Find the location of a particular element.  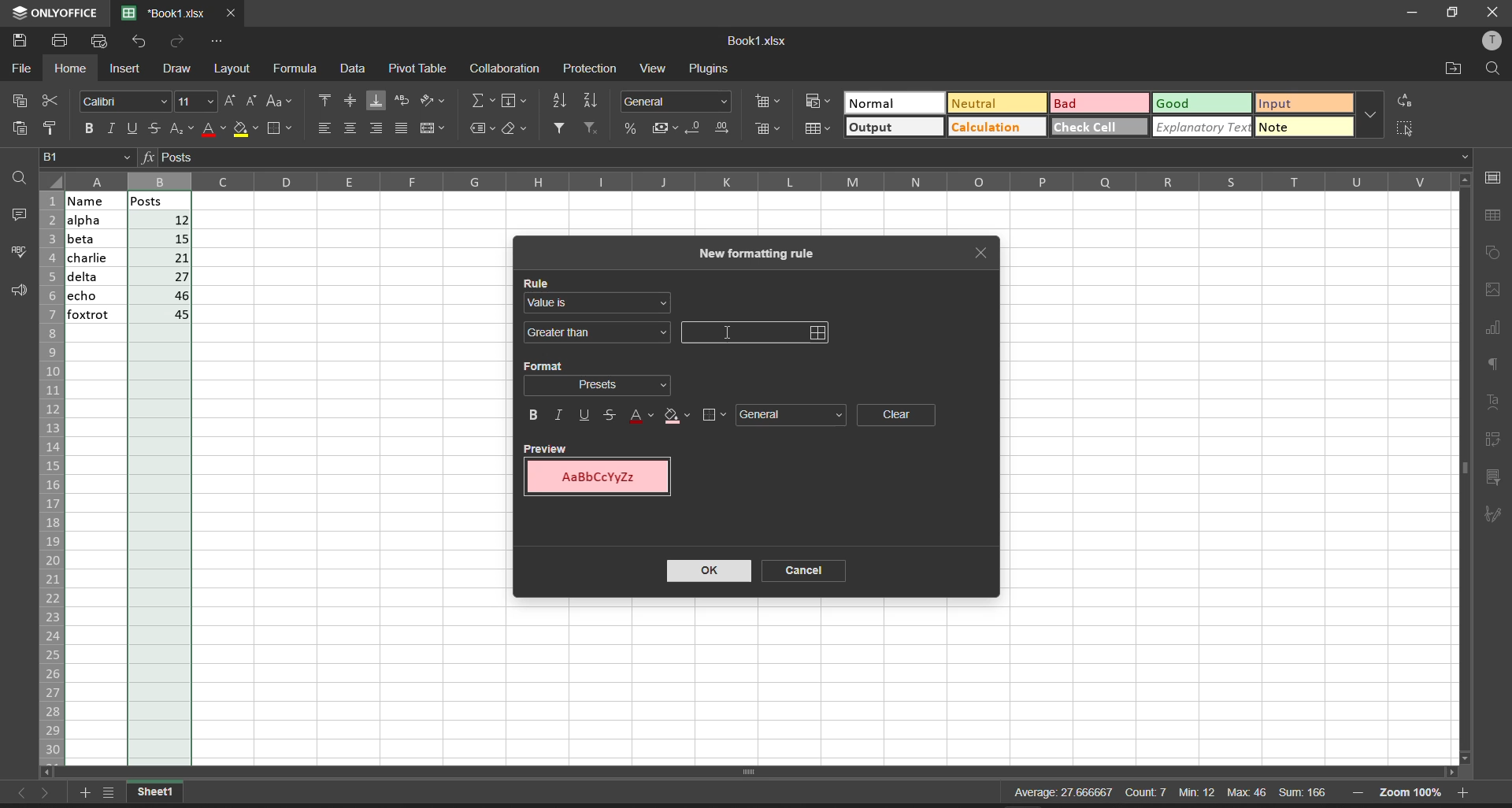

general is located at coordinates (794, 414).